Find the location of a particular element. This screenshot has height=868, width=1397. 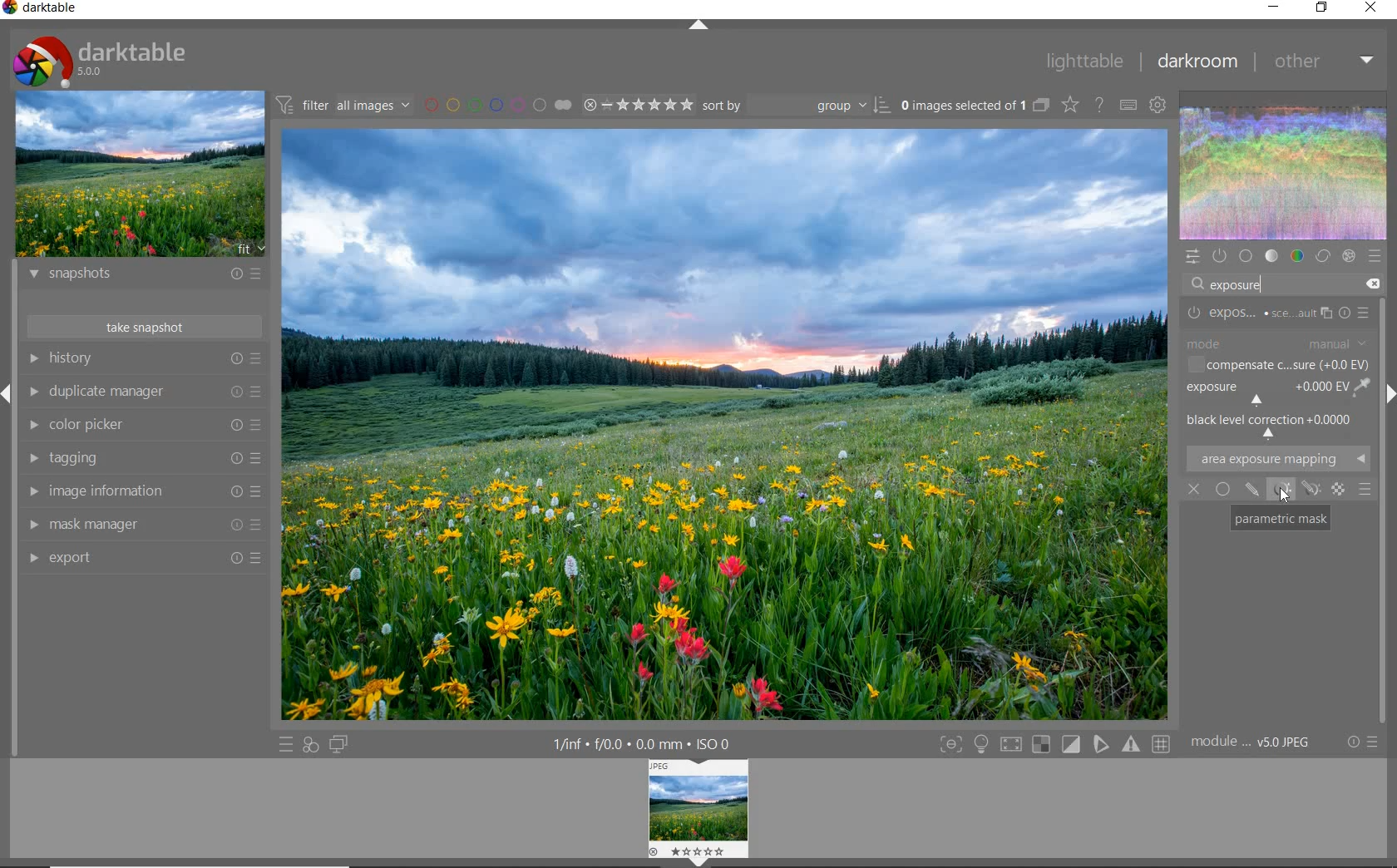

PICK GUI COLOR FROM IMAGE is located at coordinates (1364, 389).